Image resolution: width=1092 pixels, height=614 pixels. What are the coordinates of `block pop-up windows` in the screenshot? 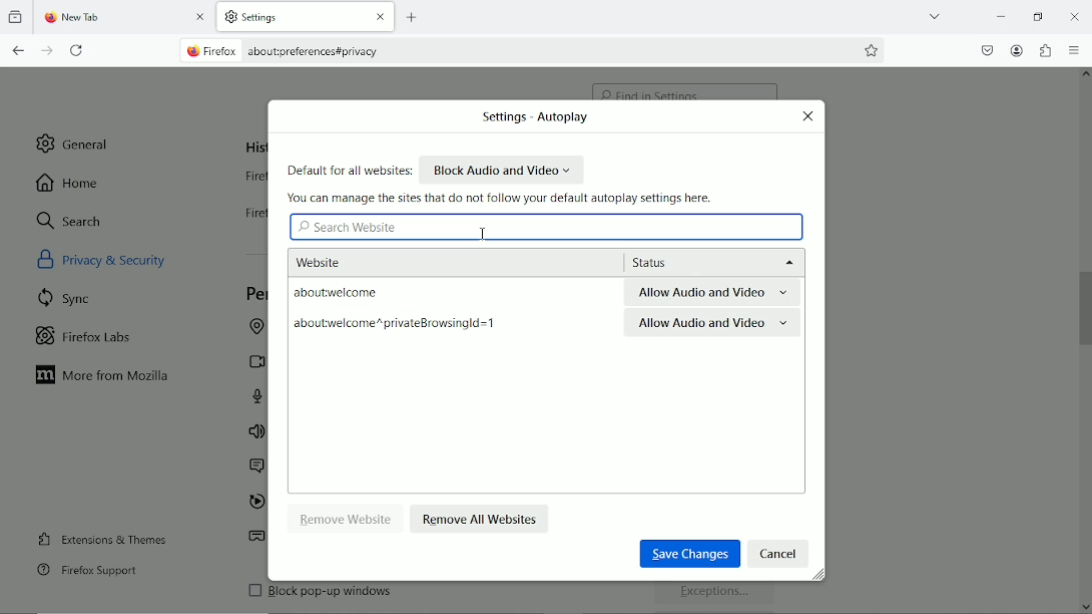 It's located at (387, 596).